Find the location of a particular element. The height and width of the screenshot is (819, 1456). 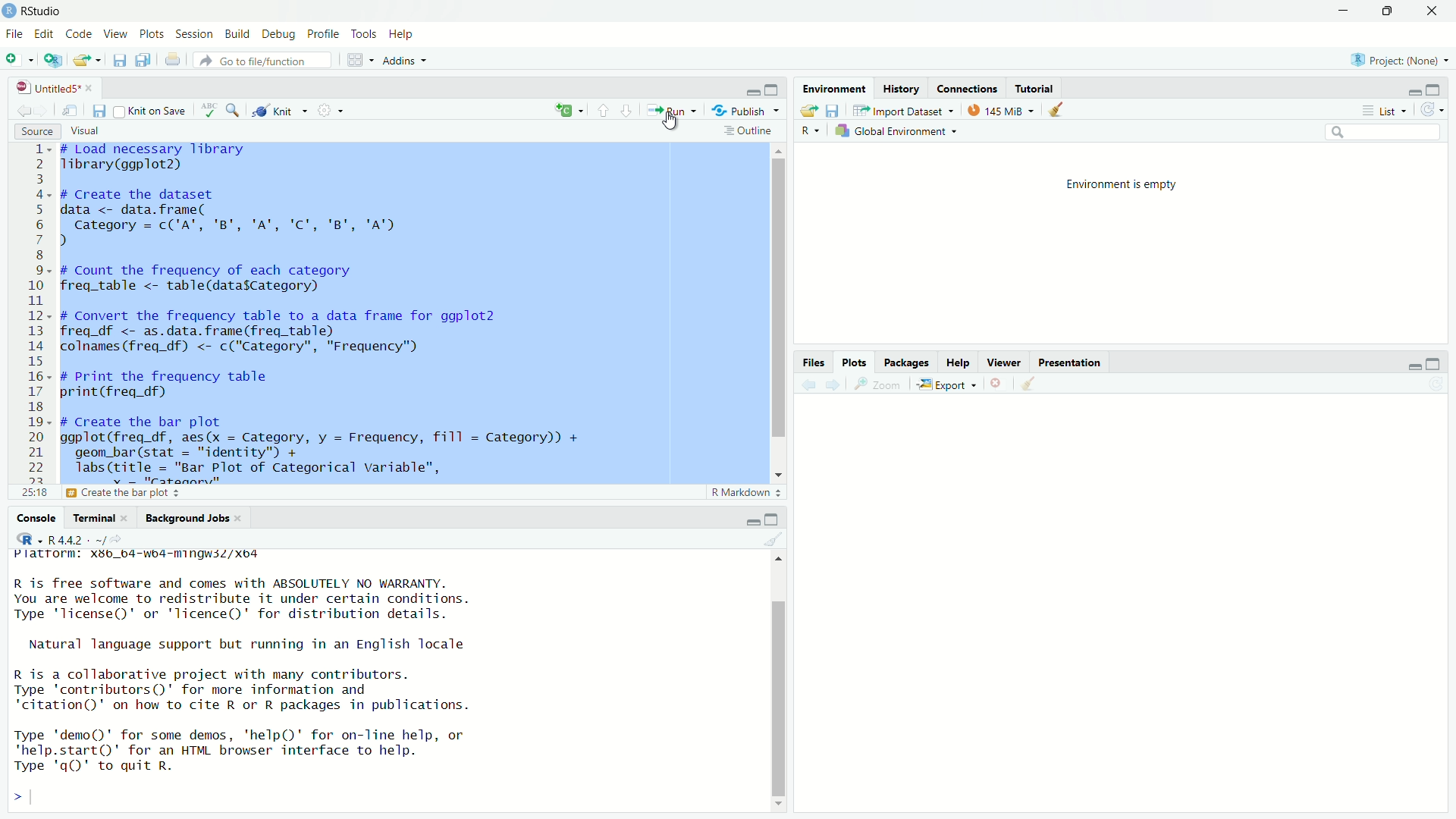

help is located at coordinates (403, 35).